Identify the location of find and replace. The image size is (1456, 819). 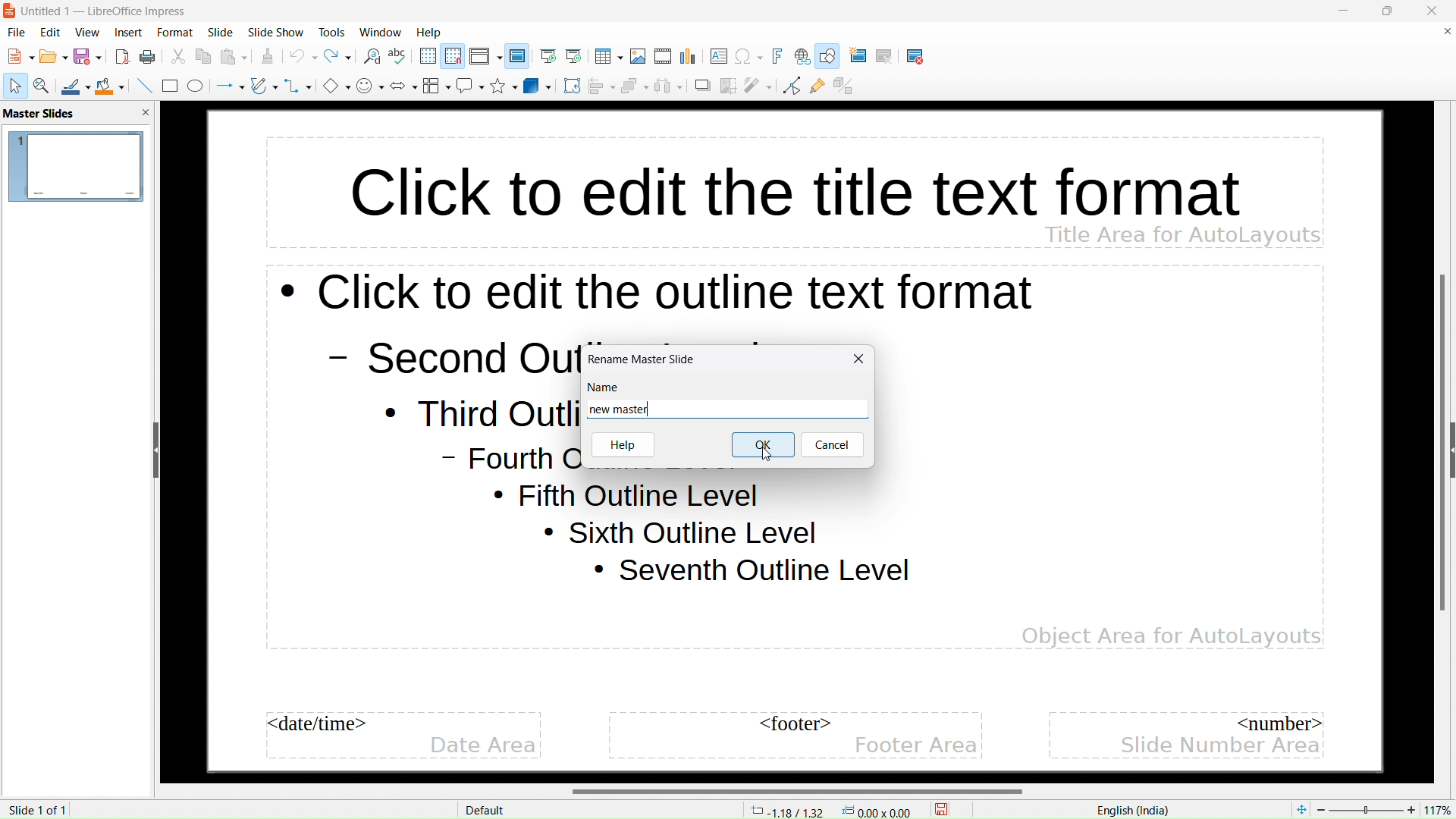
(372, 57).